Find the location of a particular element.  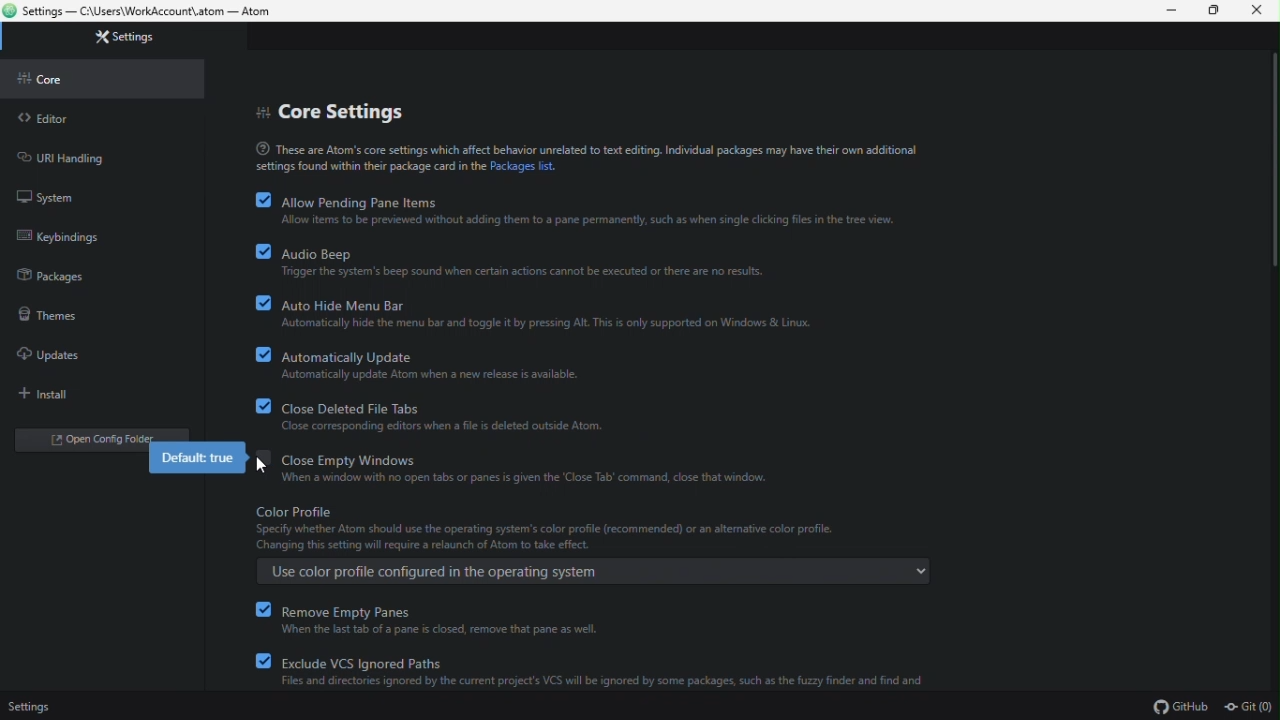

checkbox is located at coordinates (260, 452).